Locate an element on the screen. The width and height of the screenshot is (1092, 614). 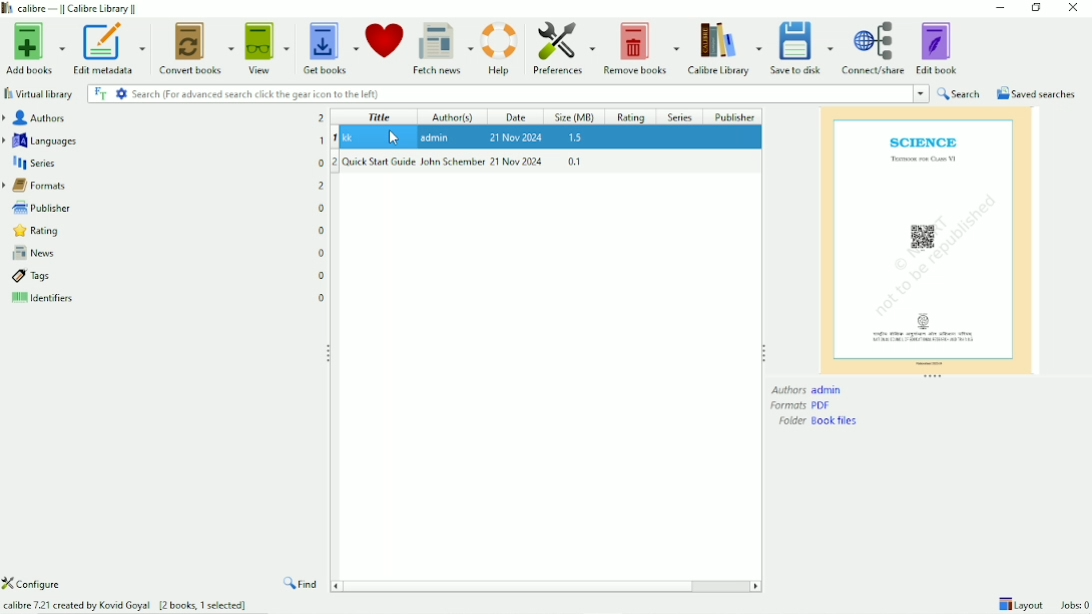
Fetch news is located at coordinates (442, 49).